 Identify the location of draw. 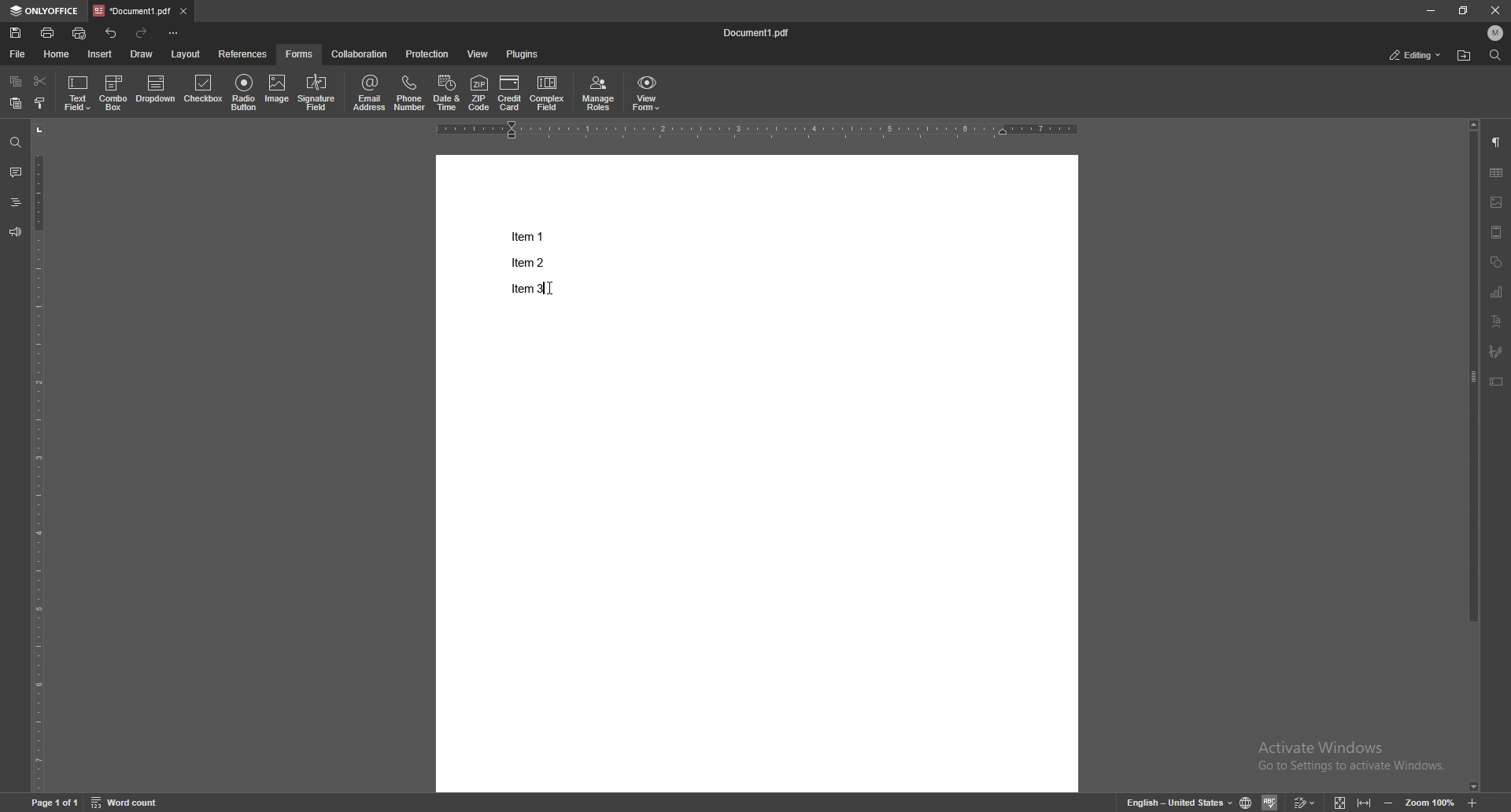
(143, 54).